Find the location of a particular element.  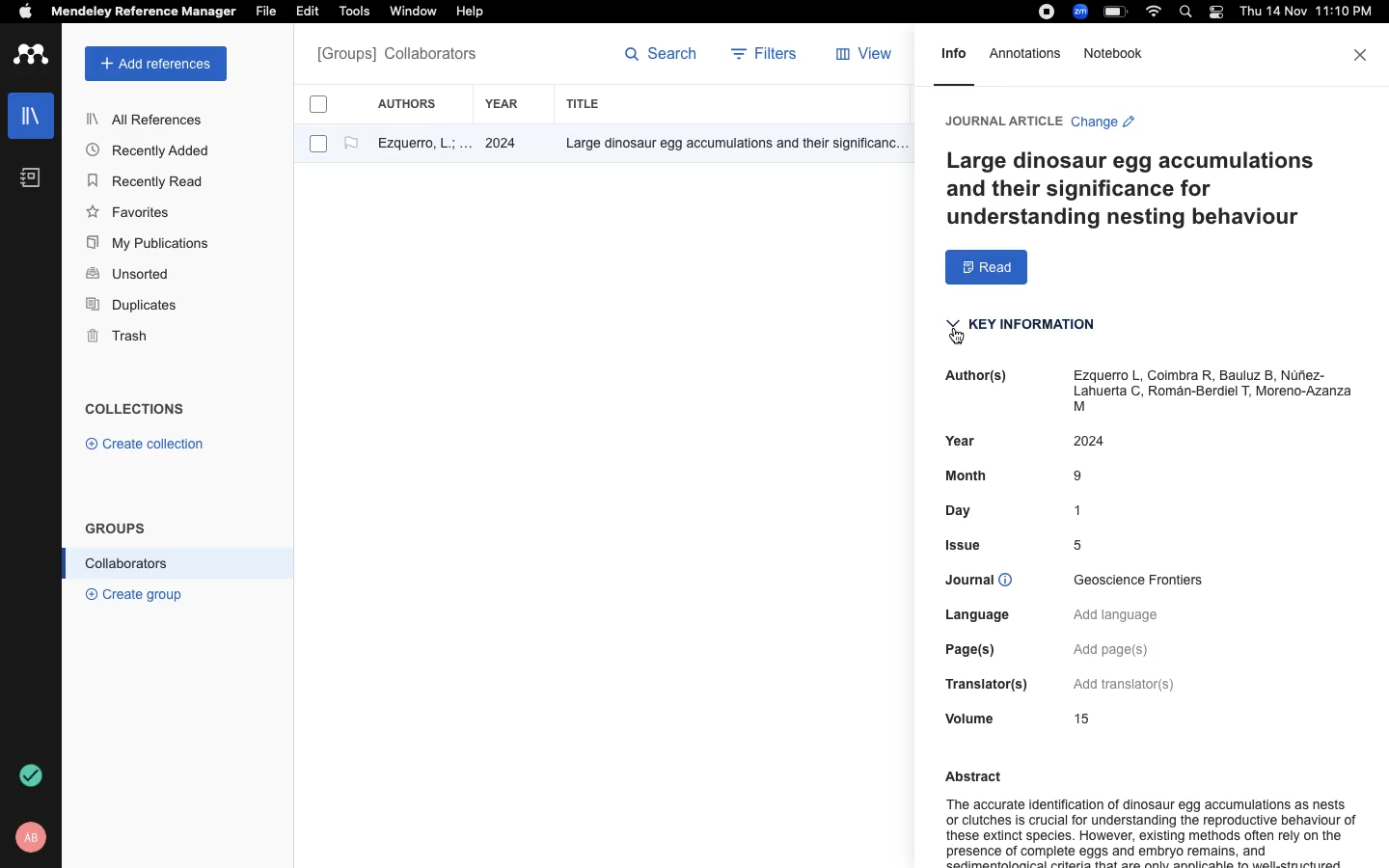

filters is located at coordinates (767, 56).